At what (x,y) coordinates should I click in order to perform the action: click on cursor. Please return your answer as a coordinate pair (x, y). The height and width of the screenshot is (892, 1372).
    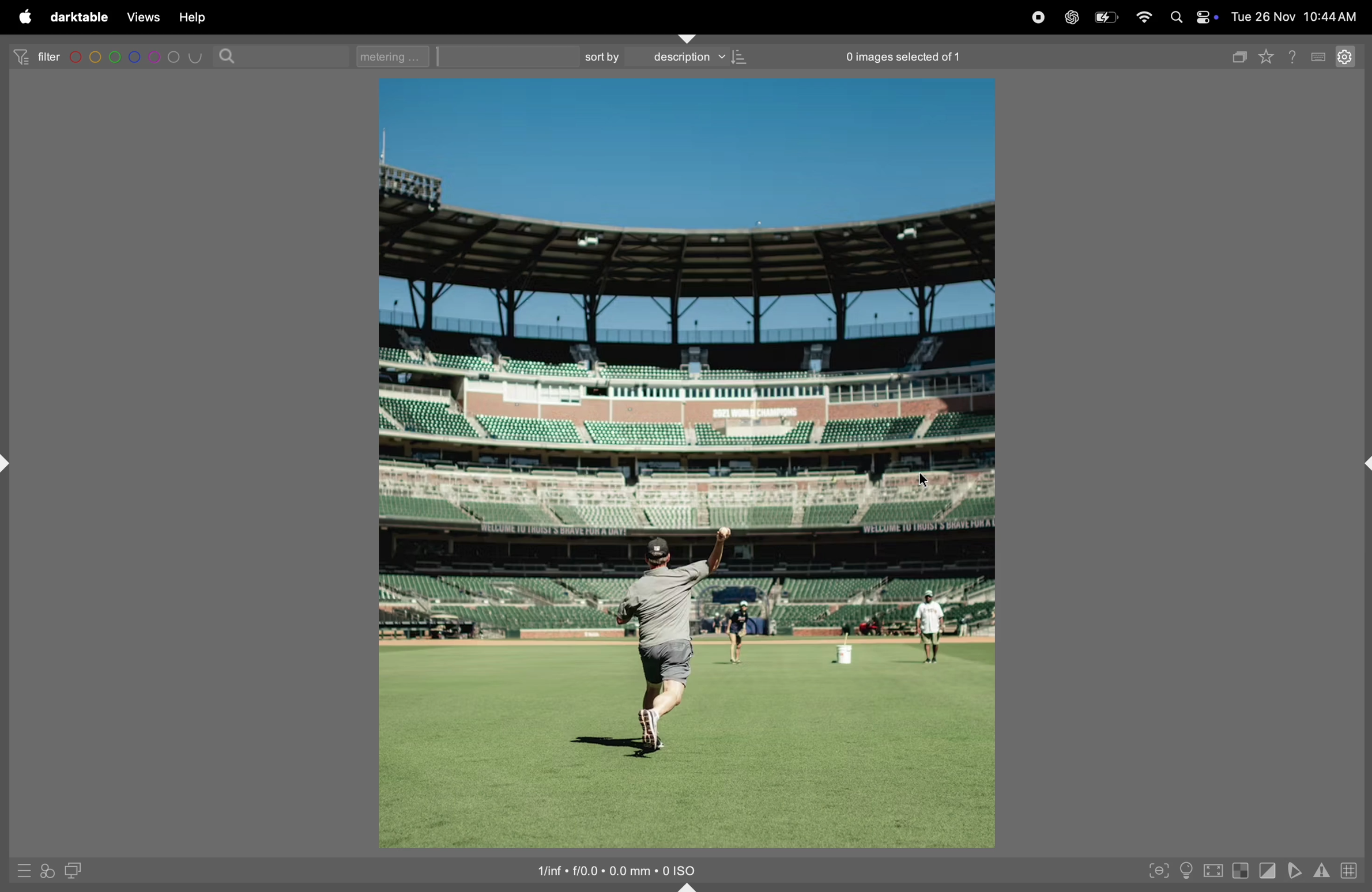
    Looking at the image, I should click on (928, 483).